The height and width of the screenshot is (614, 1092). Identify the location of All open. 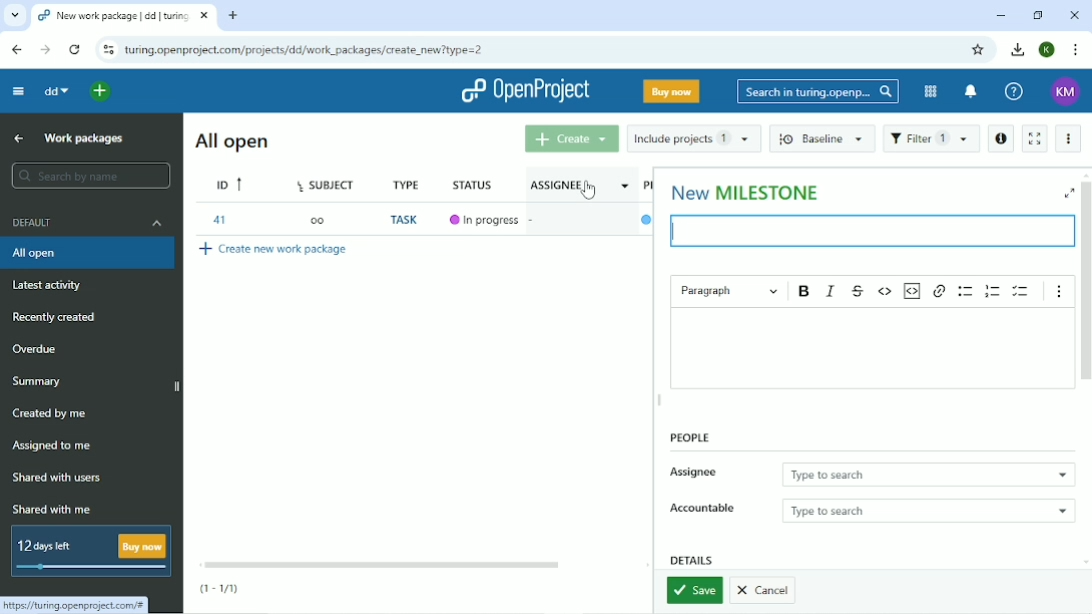
(90, 254).